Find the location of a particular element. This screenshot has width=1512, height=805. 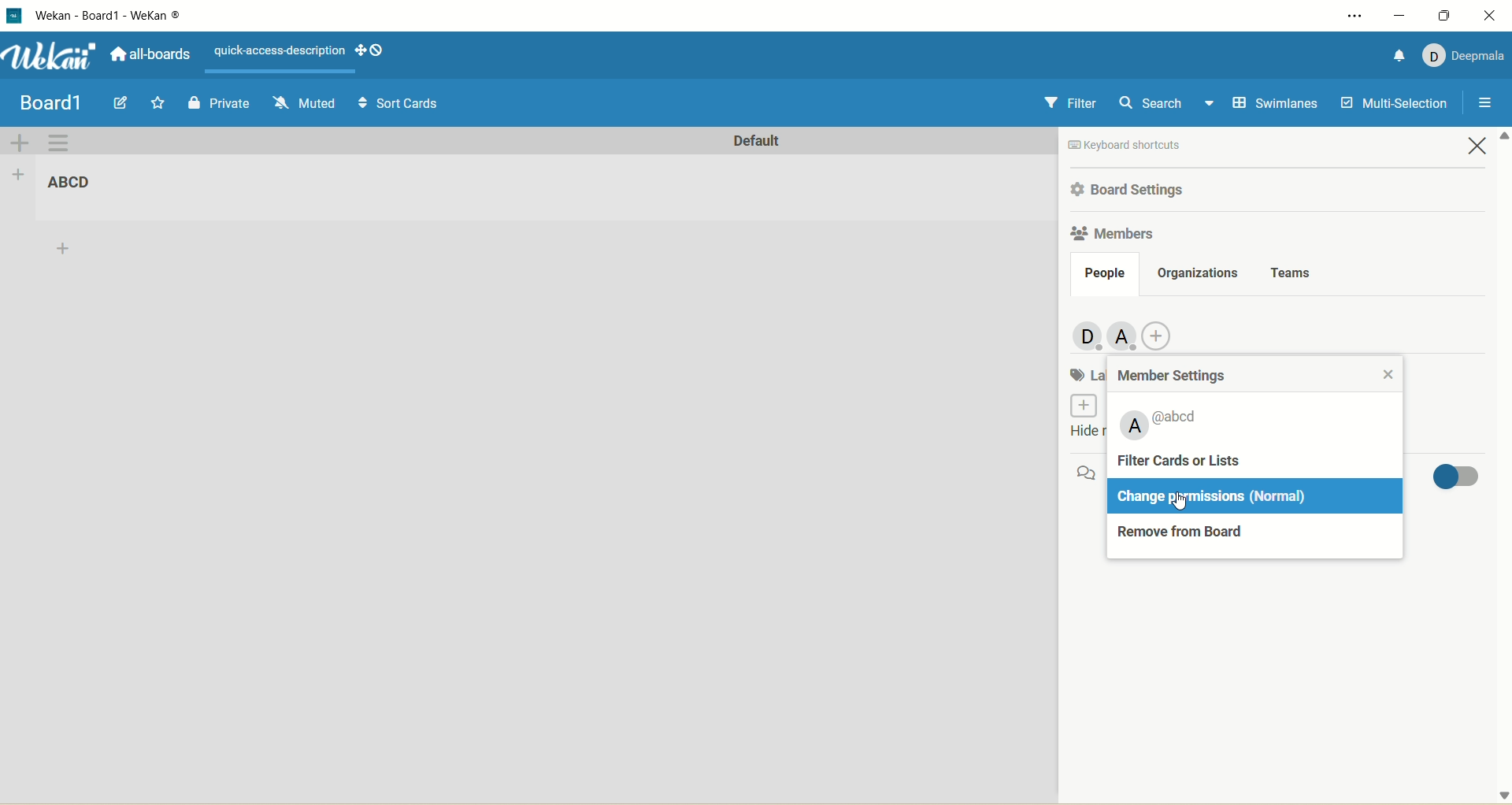

add list is located at coordinates (18, 175).